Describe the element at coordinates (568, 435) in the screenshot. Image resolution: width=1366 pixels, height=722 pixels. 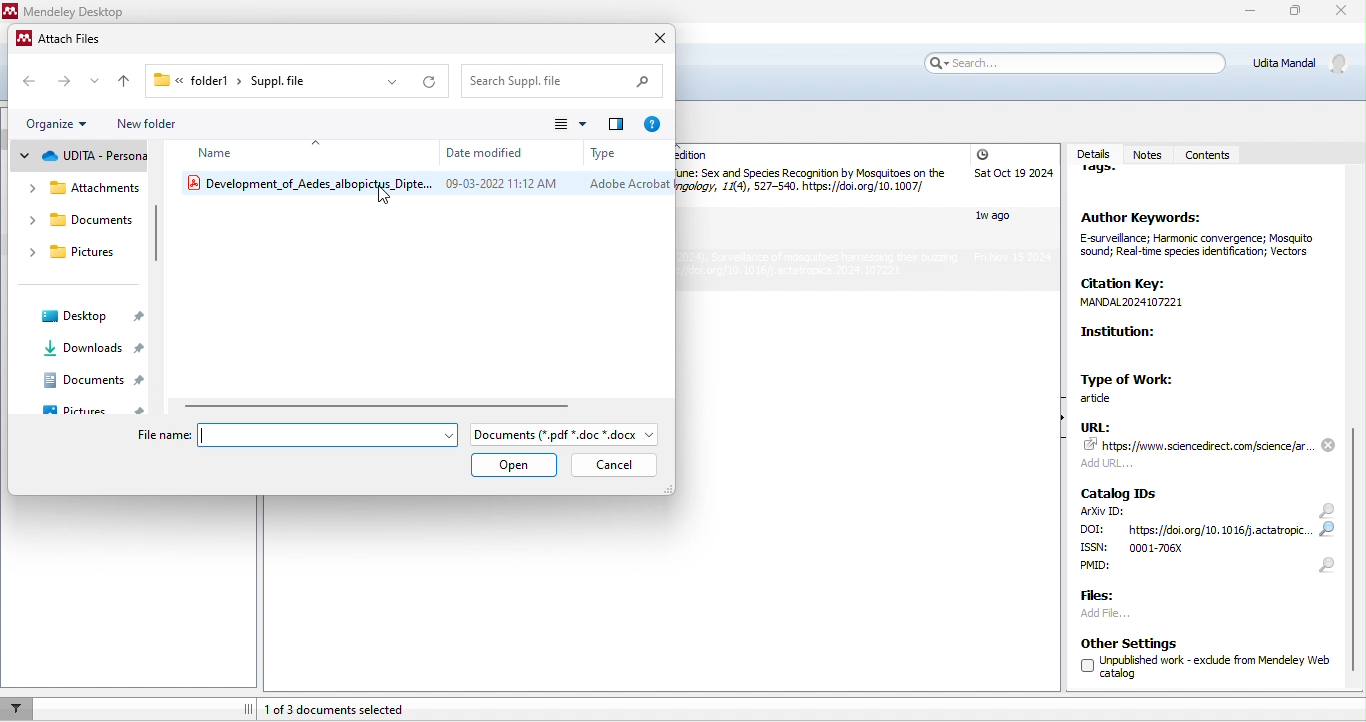
I see `file type` at that location.